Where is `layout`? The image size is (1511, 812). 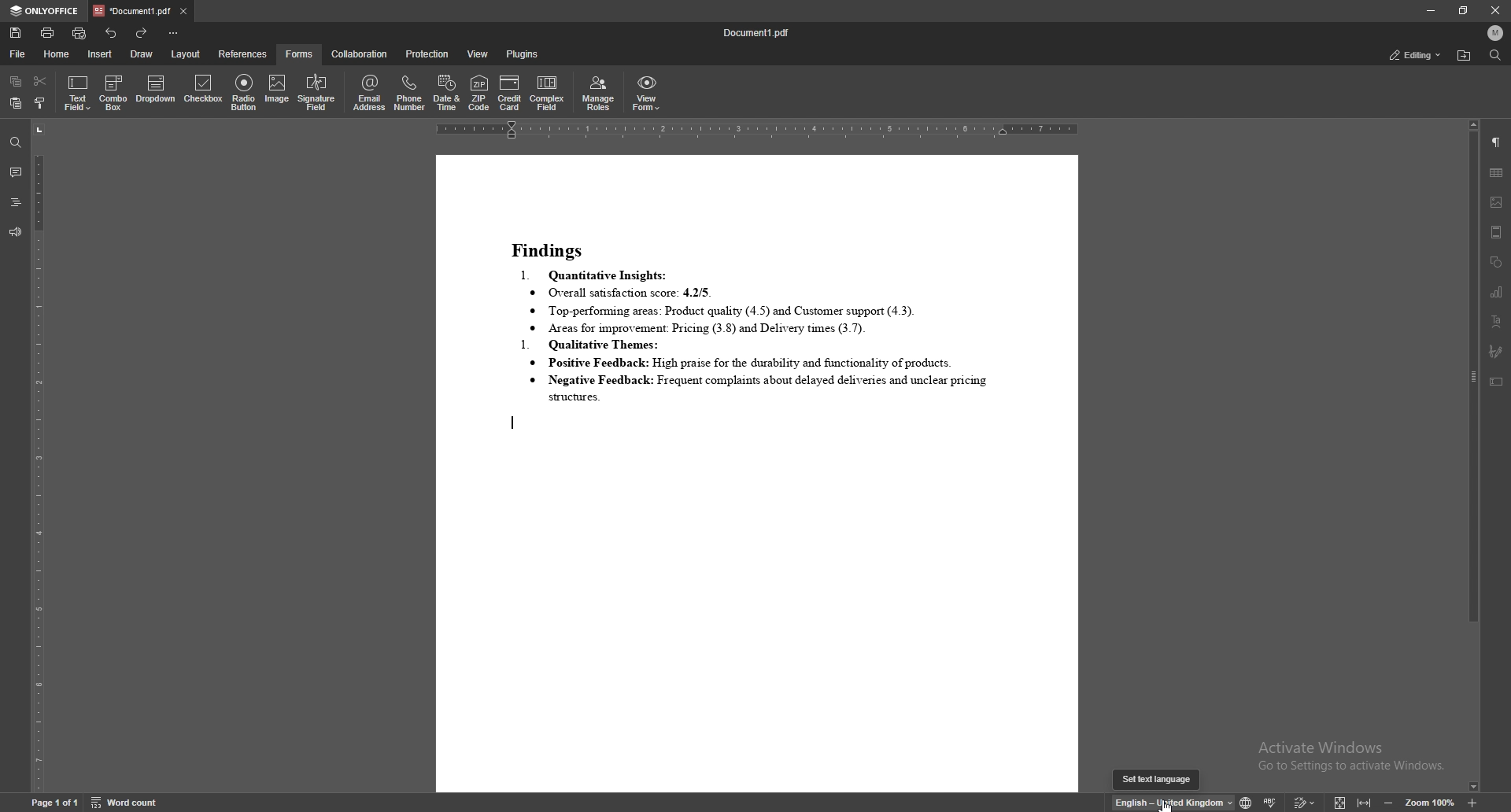
layout is located at coordinates (186, 54).